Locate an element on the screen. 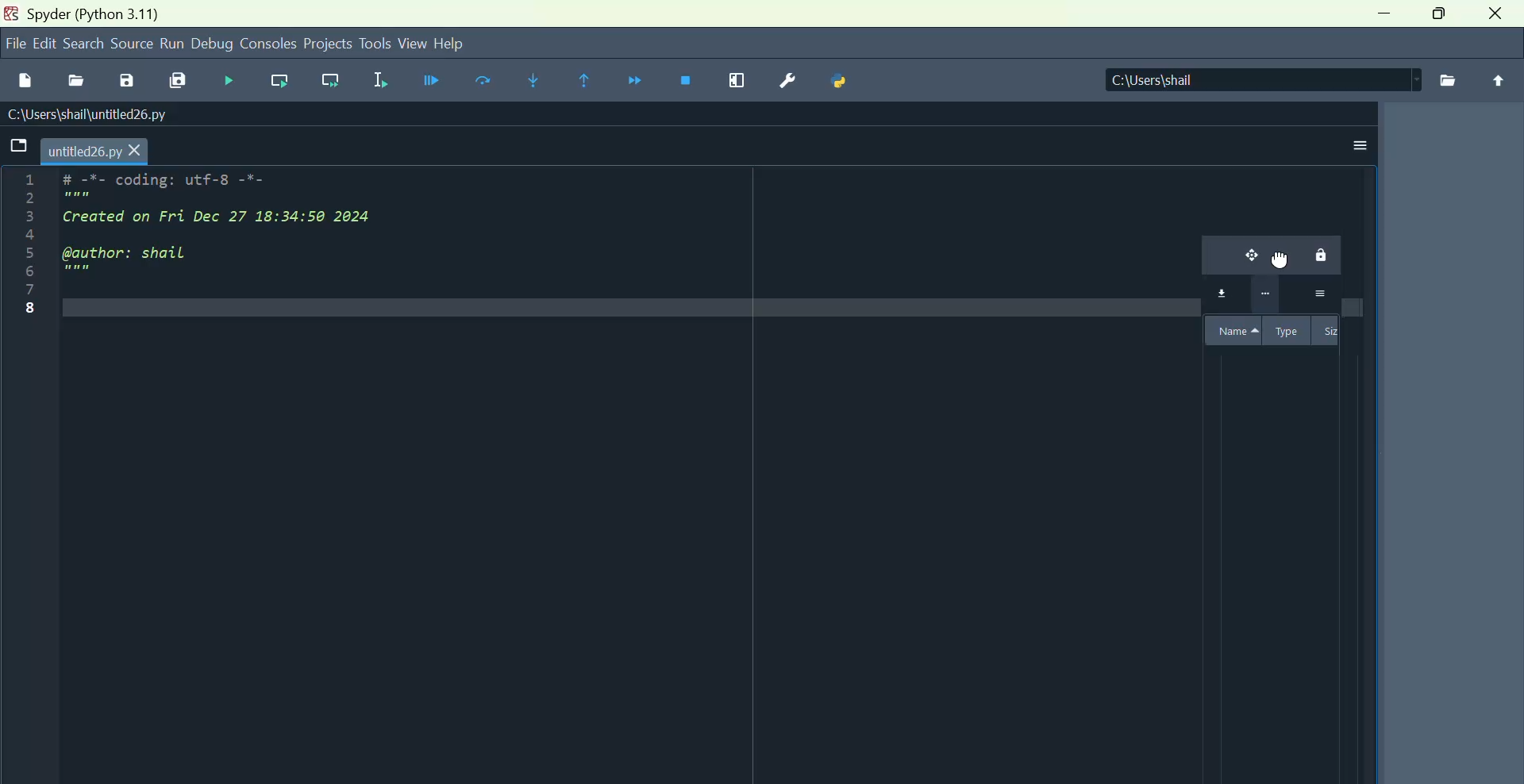 The width and height of the screenshot is (1524, 784). Save as is located at coordinates (125, 80).